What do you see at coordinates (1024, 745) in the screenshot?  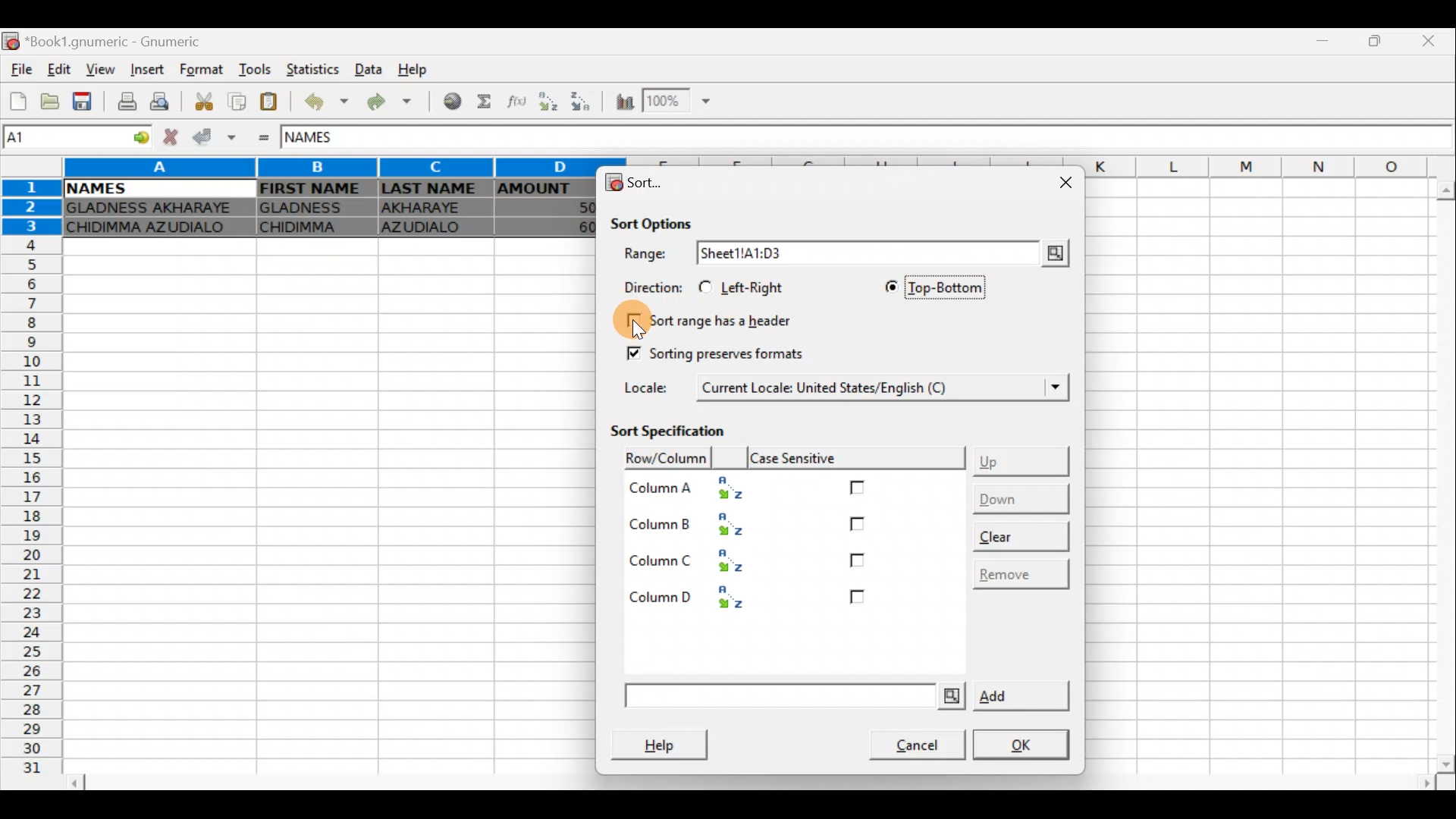 I see `OK` at bounding box center [1024, 745].